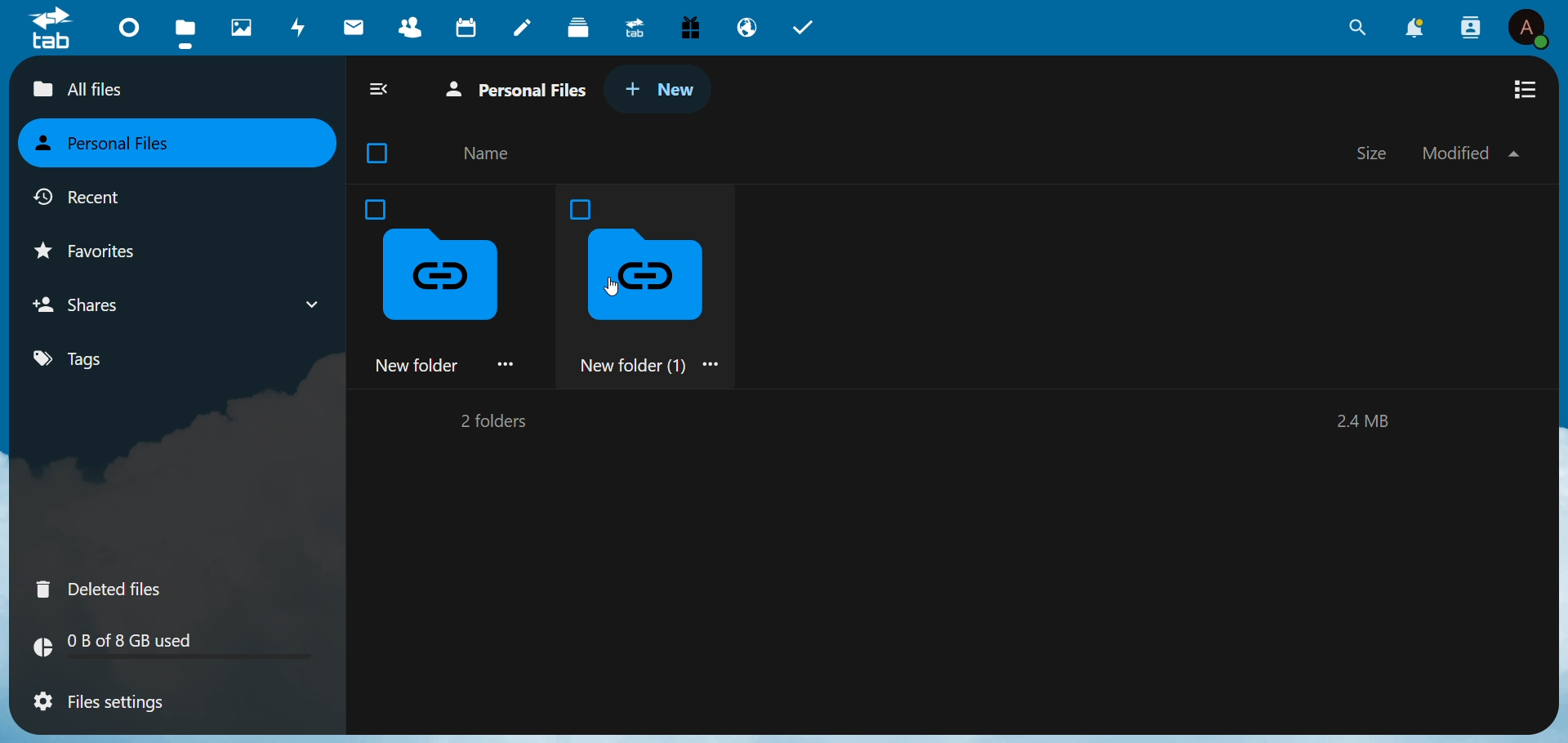  I want to click on search contact, so click(1468, 25).